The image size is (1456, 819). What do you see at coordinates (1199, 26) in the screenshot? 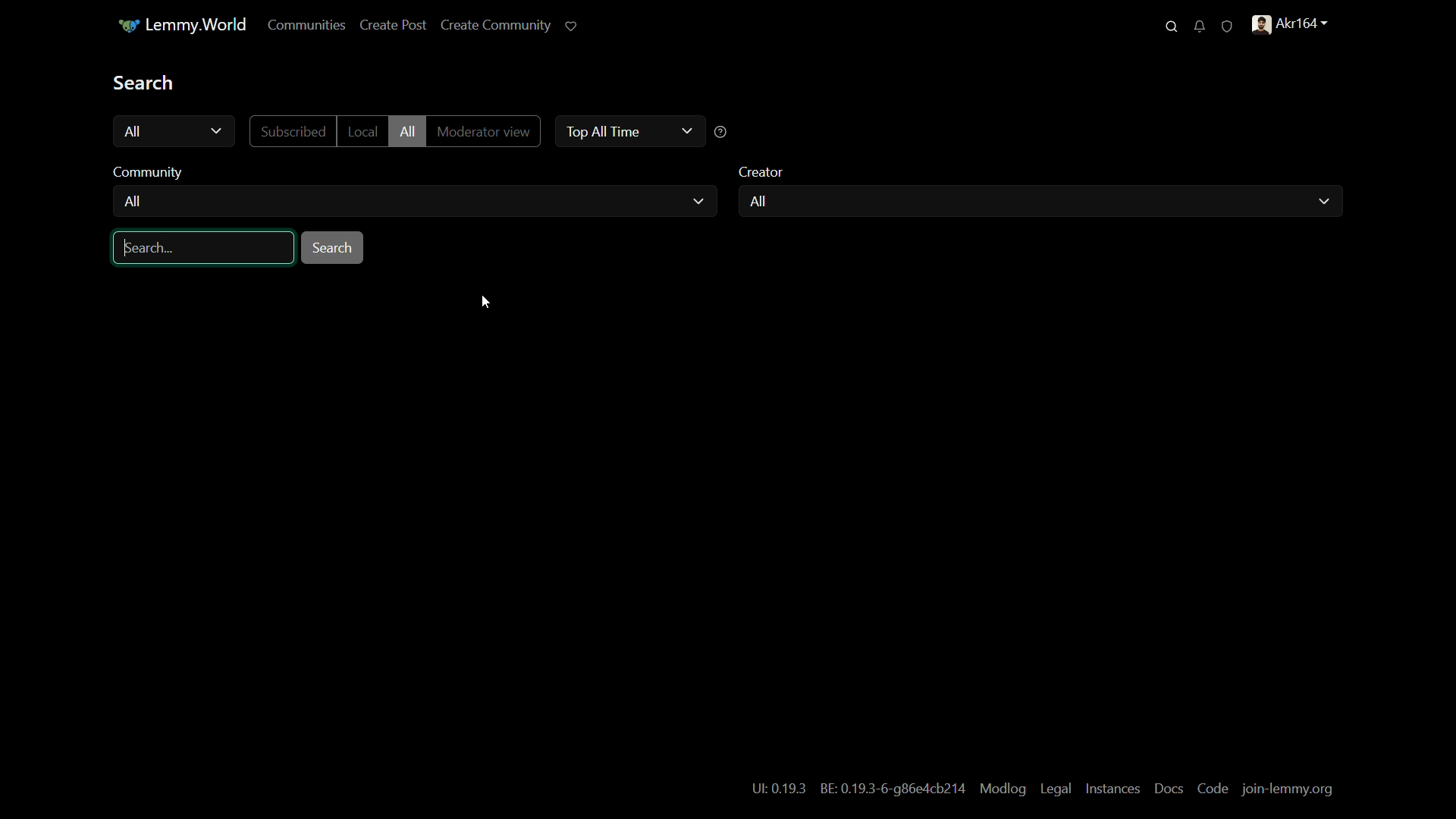
I see `unread notifications` at bounding box center [1199, 26].